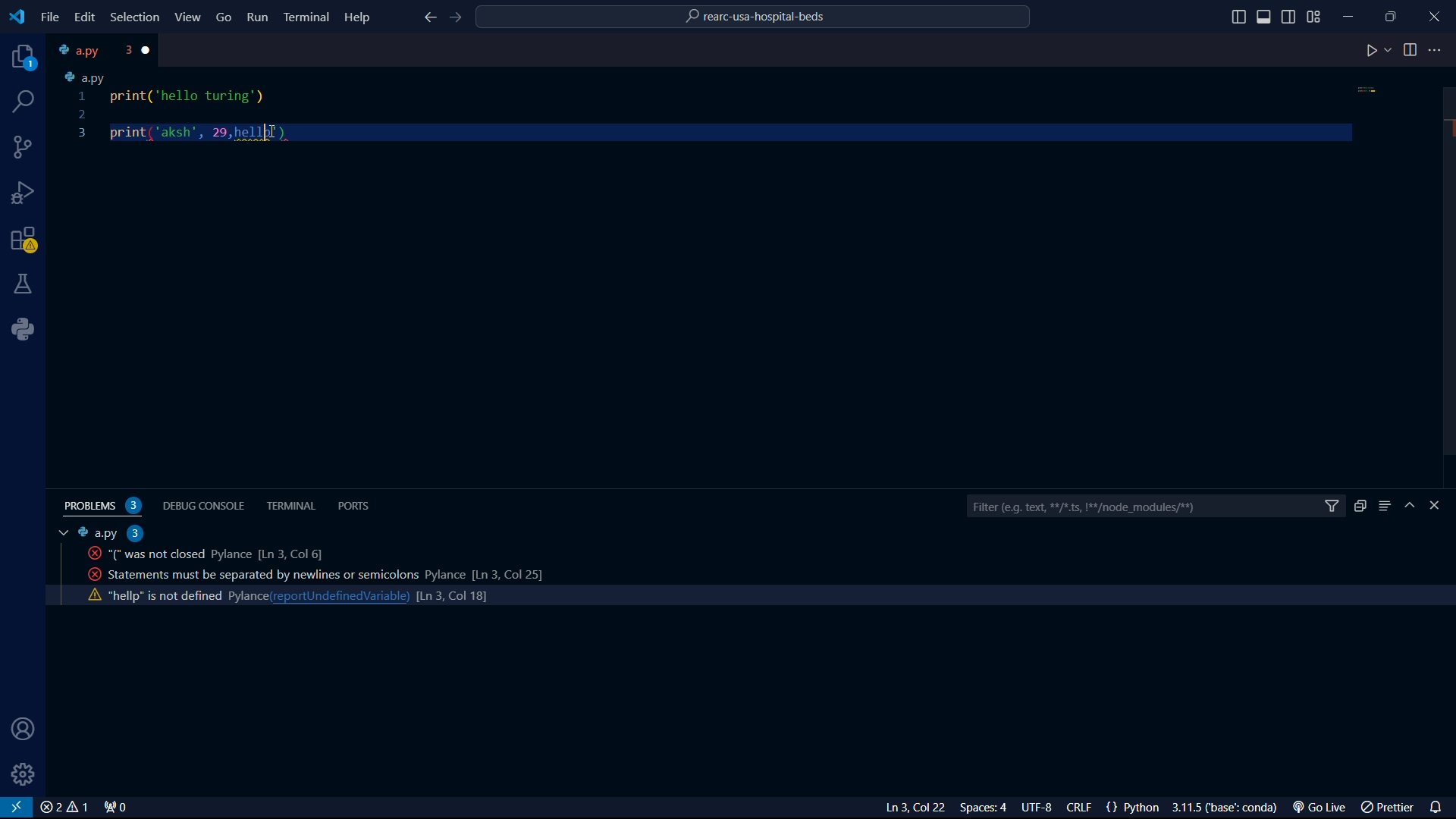  I want to click on ports, so click(357, 505).